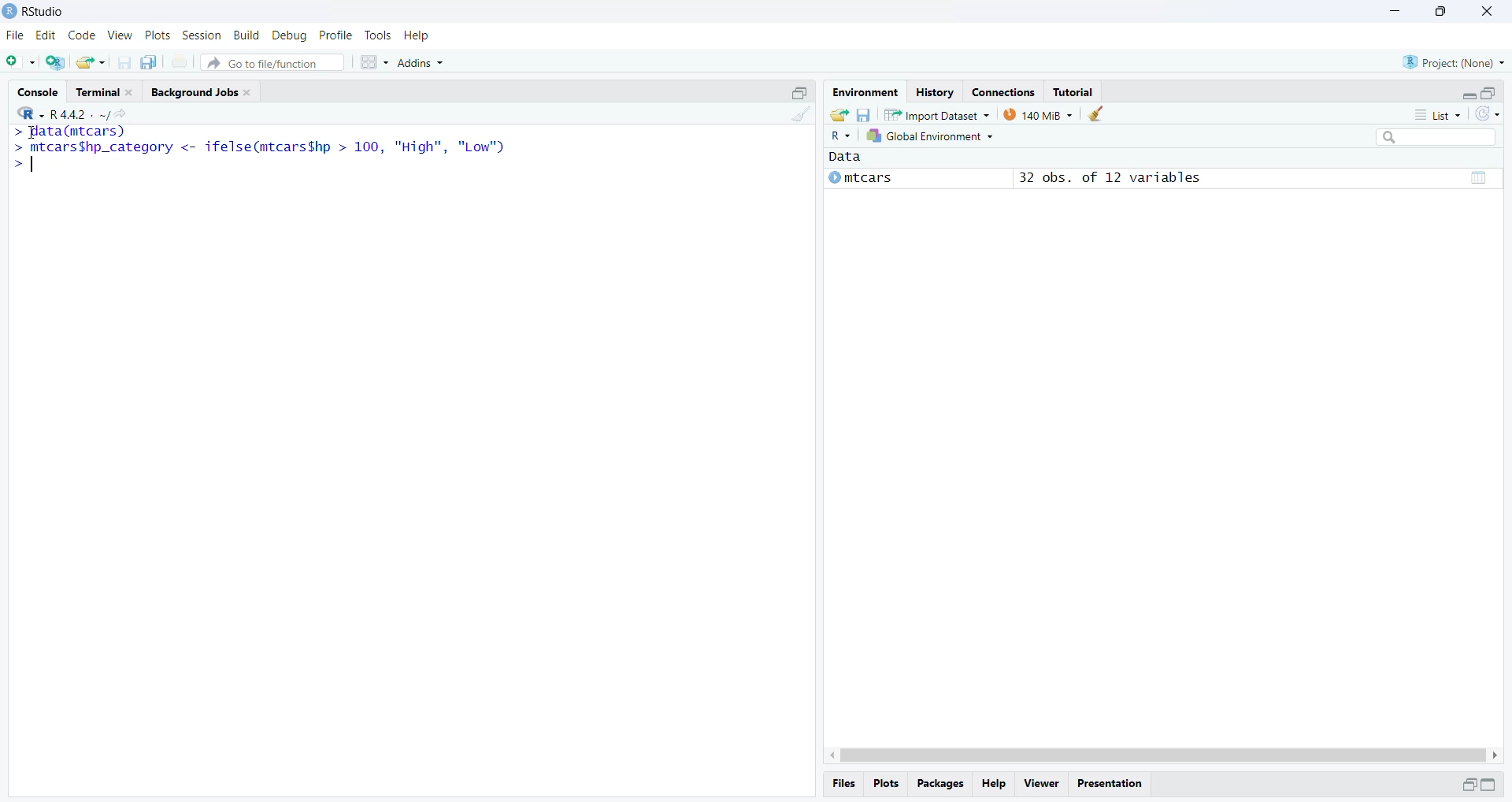  I want to click on Plots, so click(157, 36).